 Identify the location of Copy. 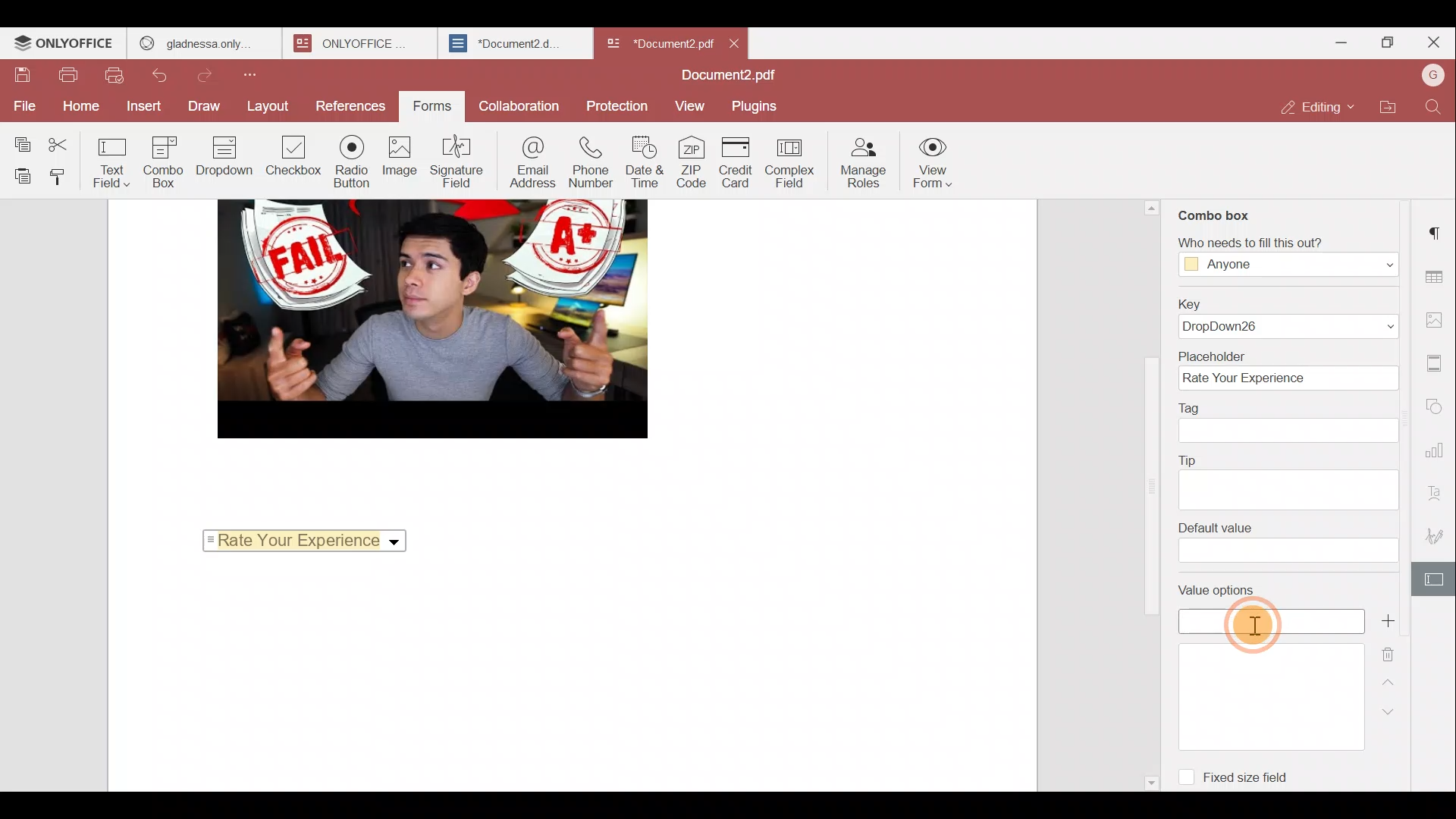
(22, 141).